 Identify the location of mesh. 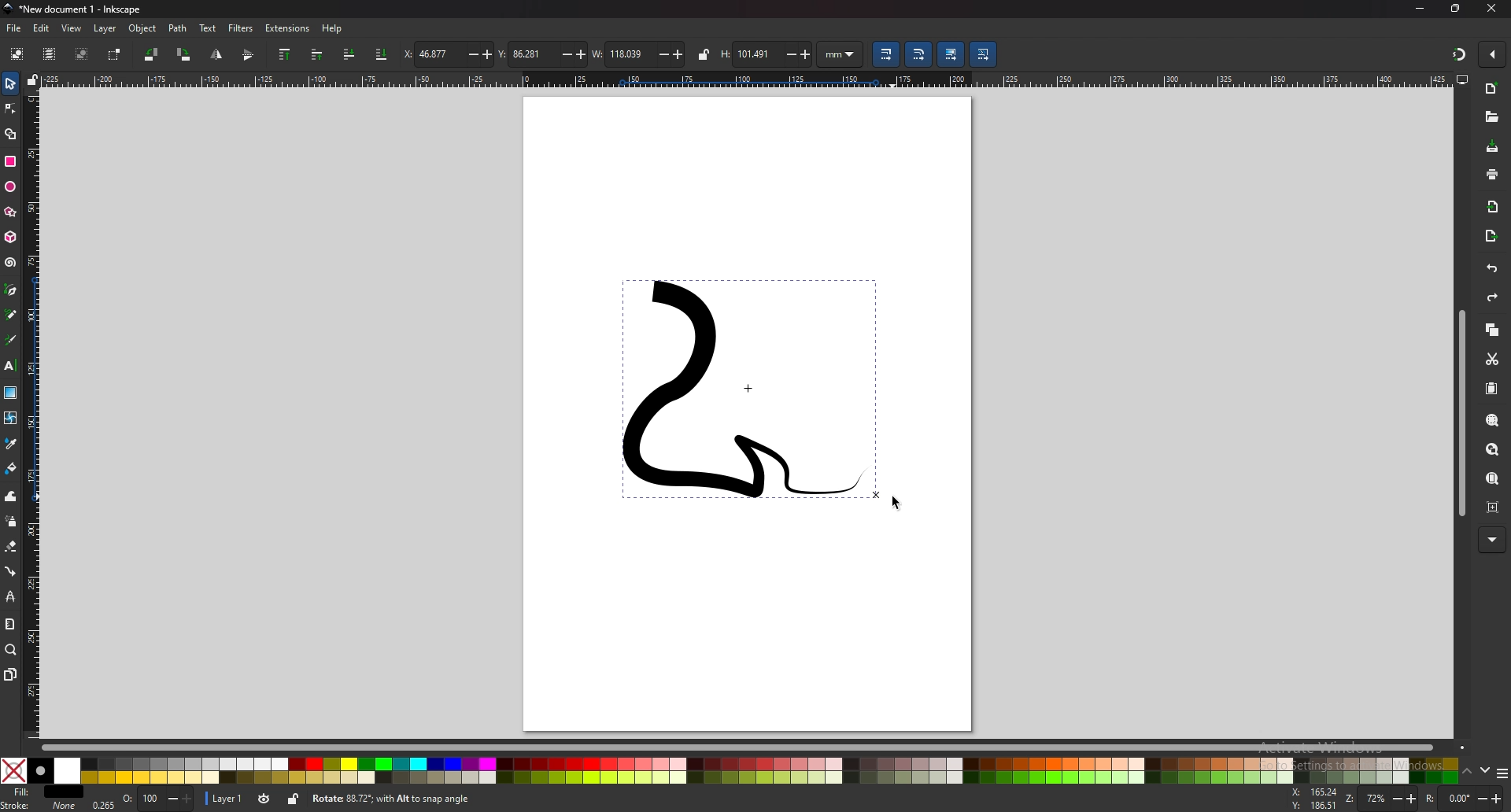
(10, 416).